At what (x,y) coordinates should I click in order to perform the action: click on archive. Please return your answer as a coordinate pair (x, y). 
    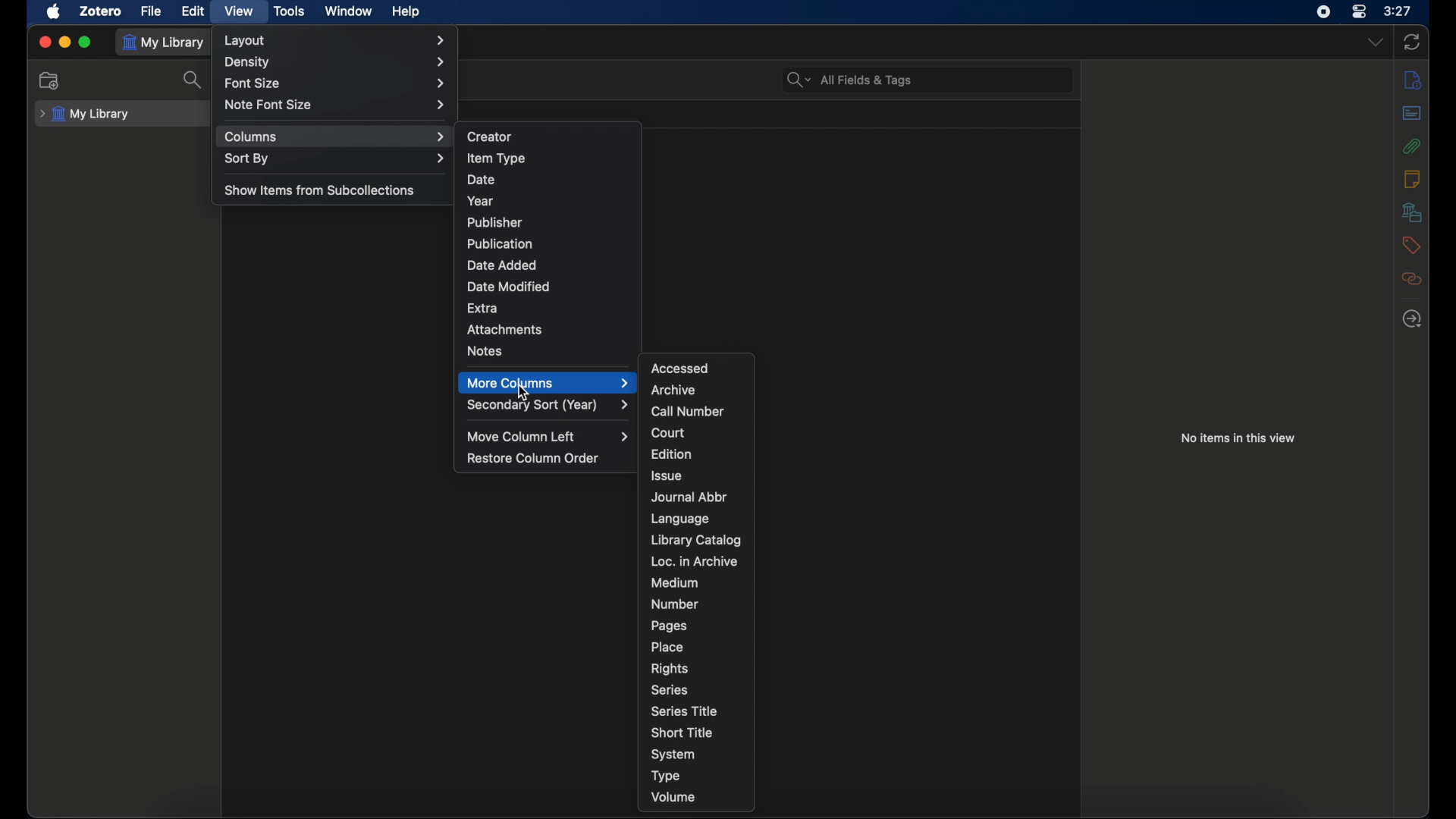
    Looking at the image, I should click on (673, 391).